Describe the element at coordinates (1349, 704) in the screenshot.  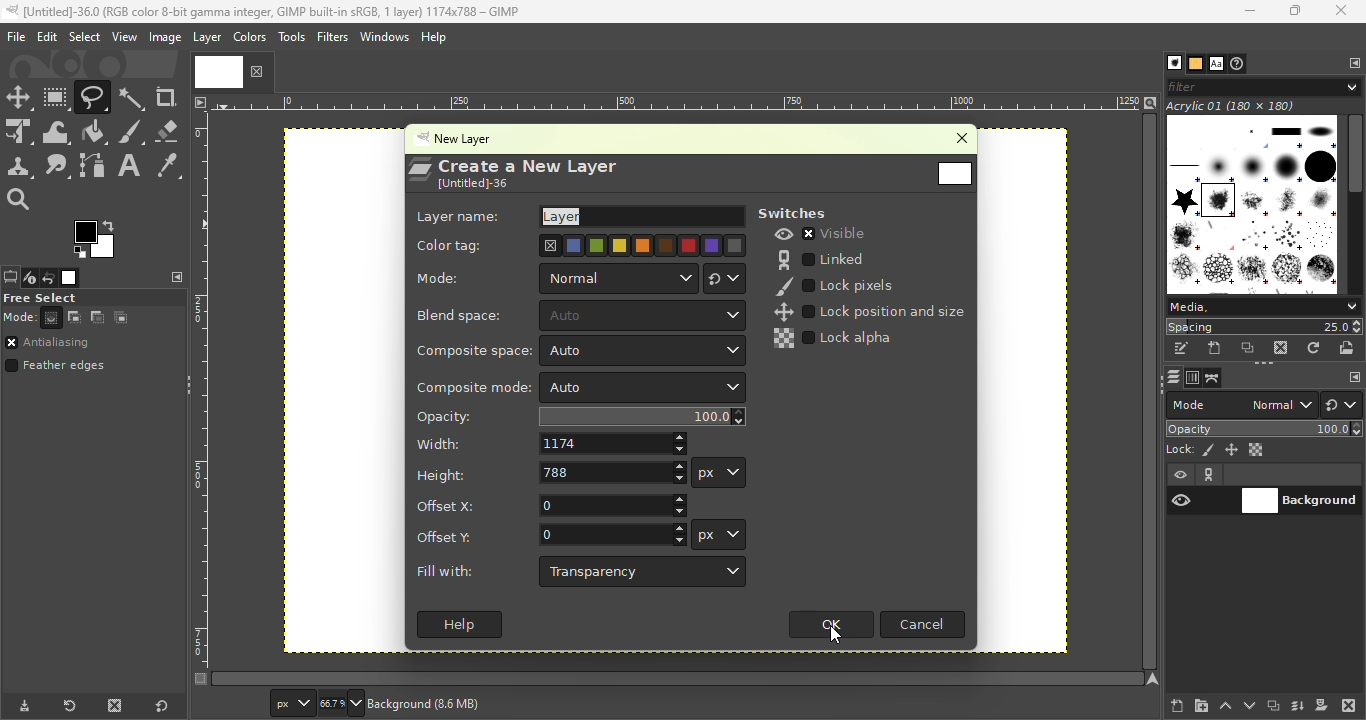
I see `Delete this layer` at that location.